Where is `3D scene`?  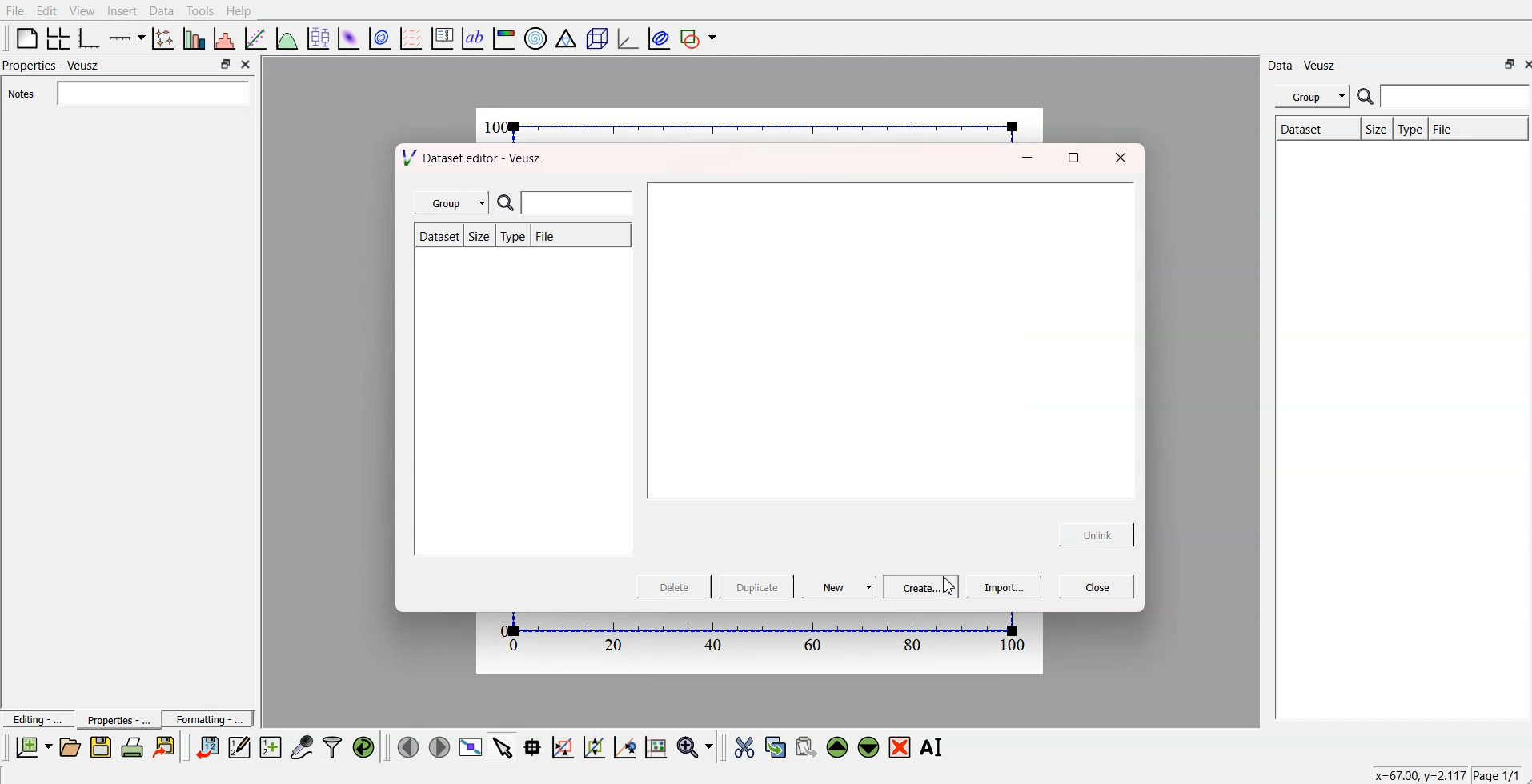 3D scene is located at coordinates (596, 37).